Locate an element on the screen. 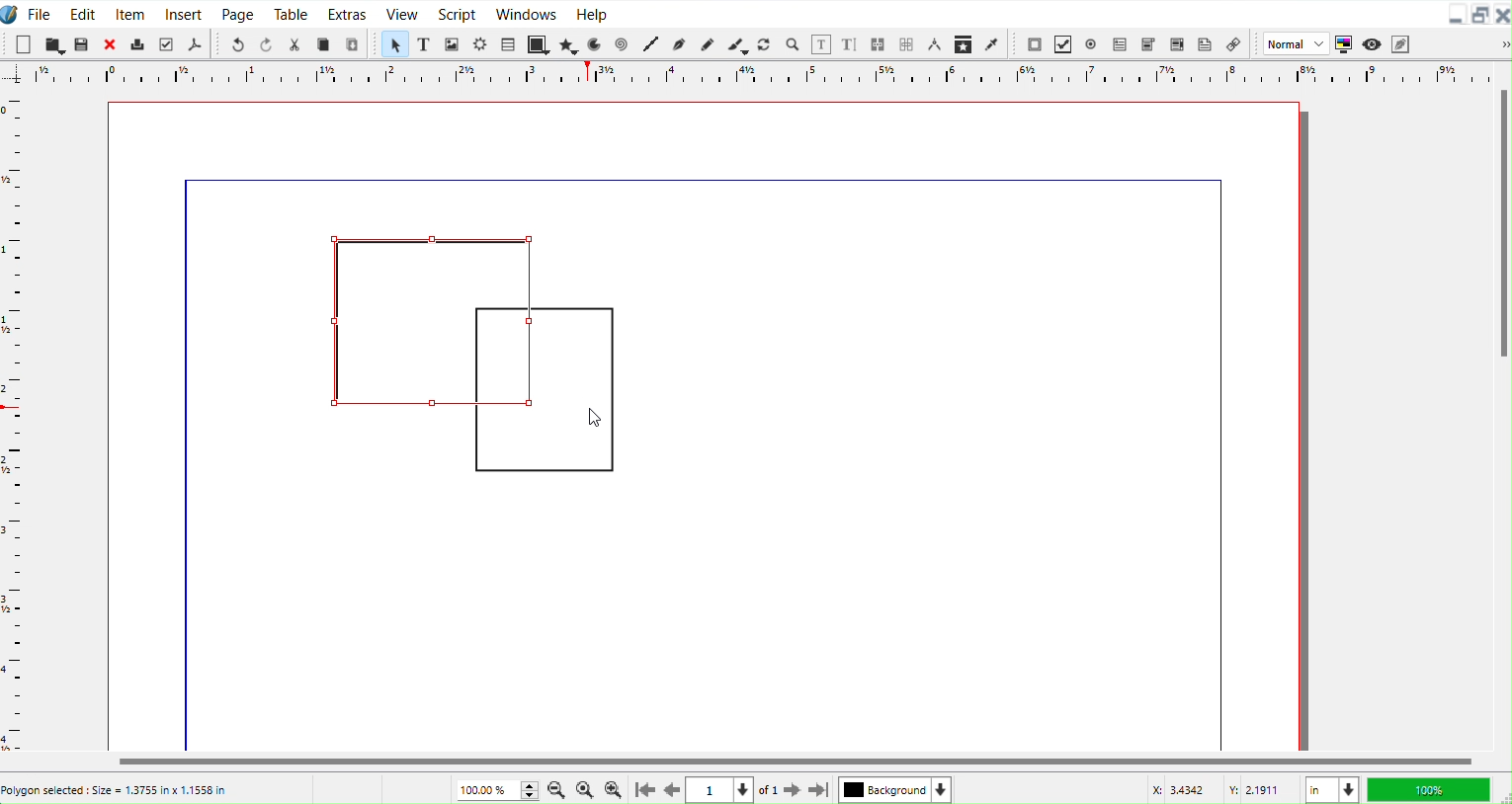 The image size is (1512, 804). Maximize is located at coordinates (1481, 15).